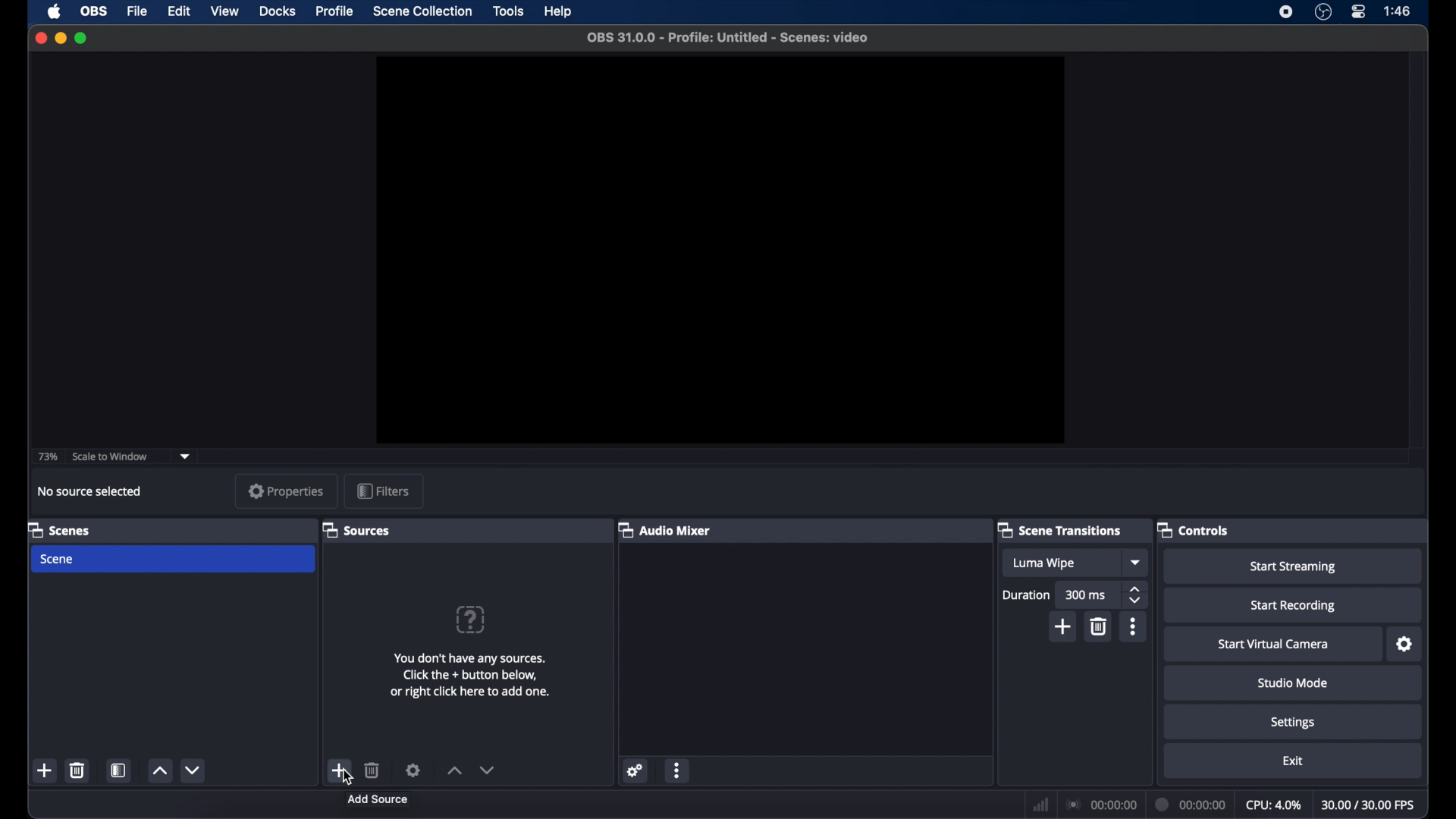 This screenshot has width=1456, height=819. What do you see at coordinates (56, 11) in the screenshot?
I see `apple icon` at bounding box center [56, 11].